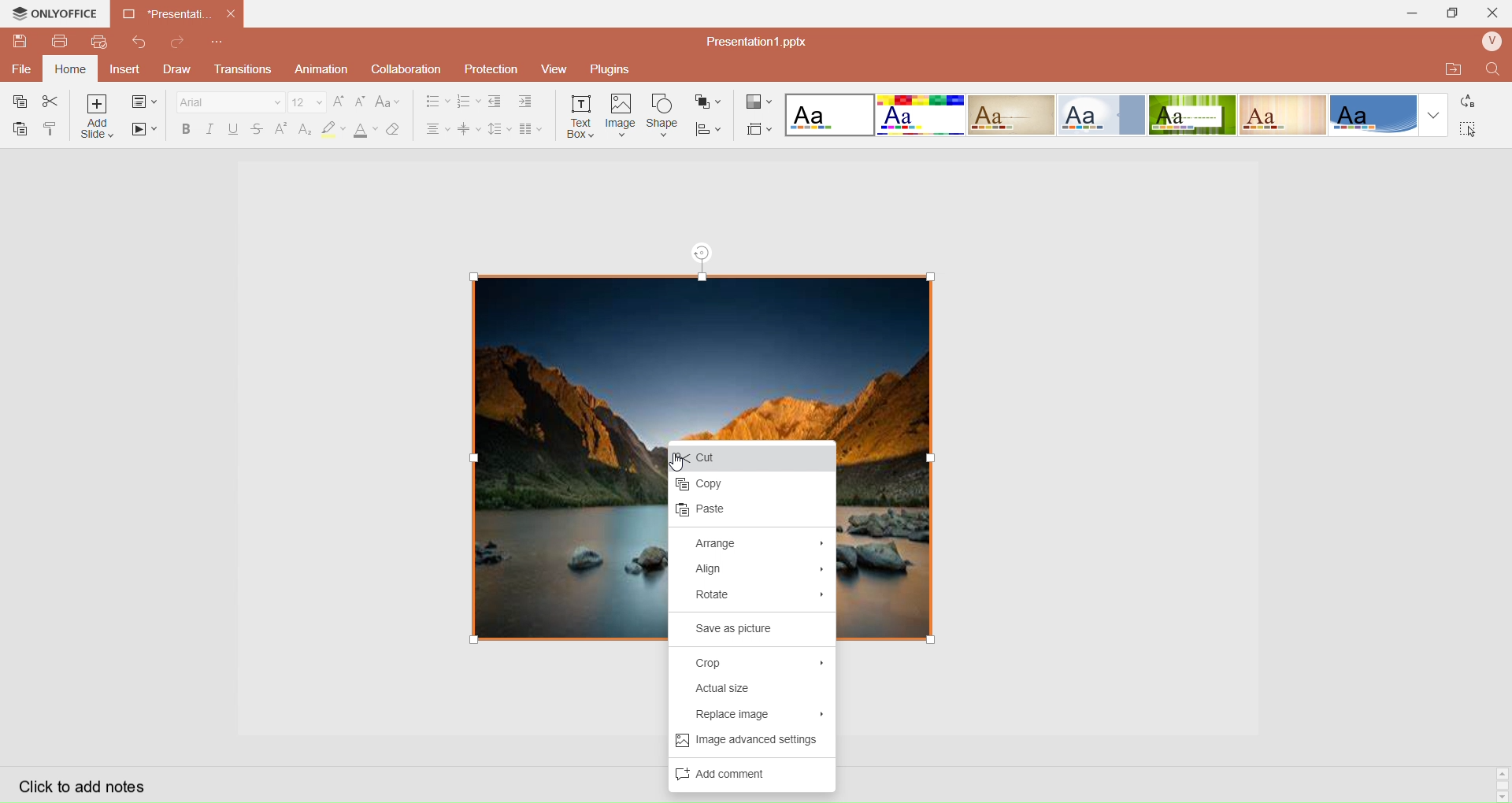 The width and height of the screenshot is (1512, 803). What do you see at coordinates (408, 69) in the screenshot?
I see `Collaboration` at bounding box center [408, 69].